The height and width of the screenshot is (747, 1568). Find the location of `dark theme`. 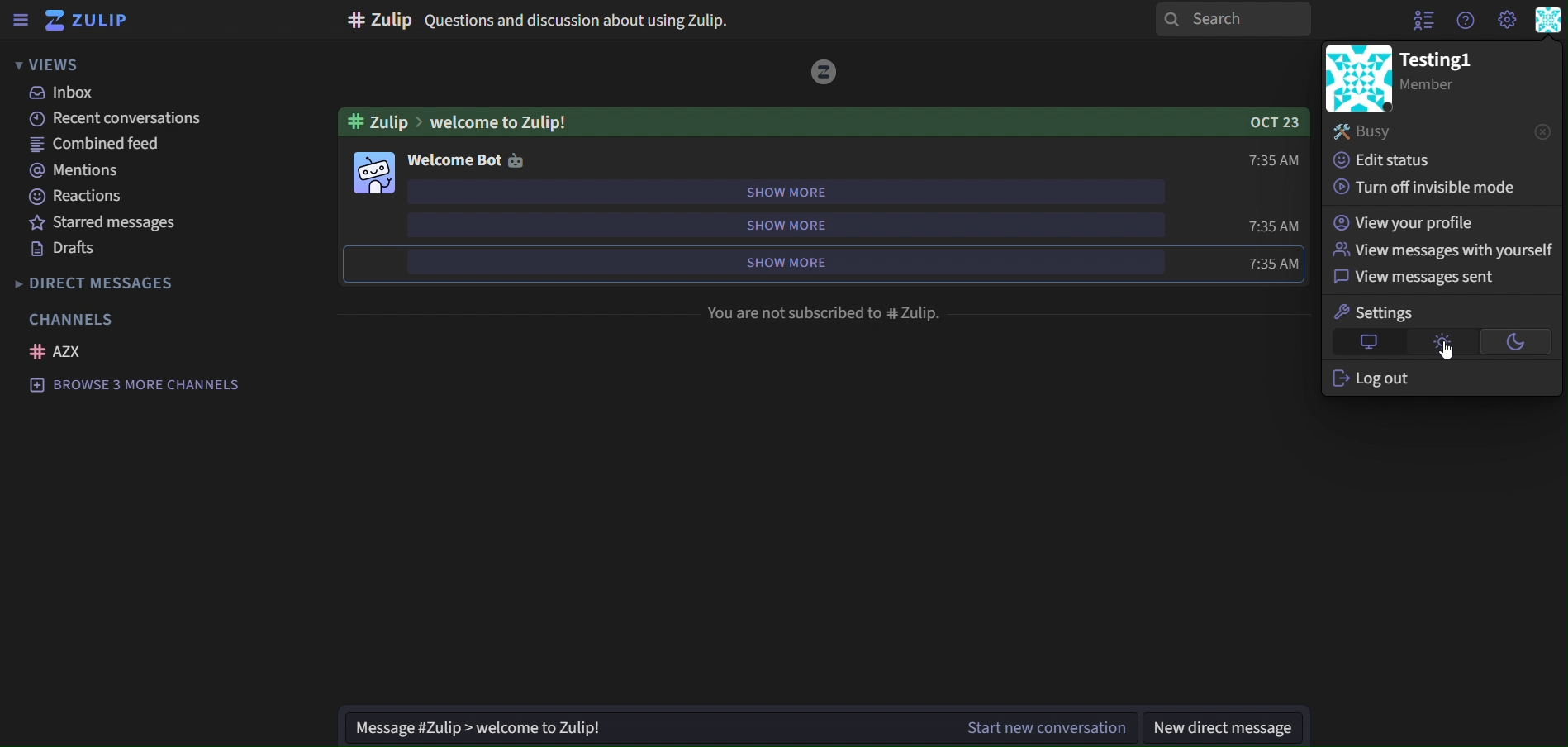

dark theme is located at coordinates (1517, 344).